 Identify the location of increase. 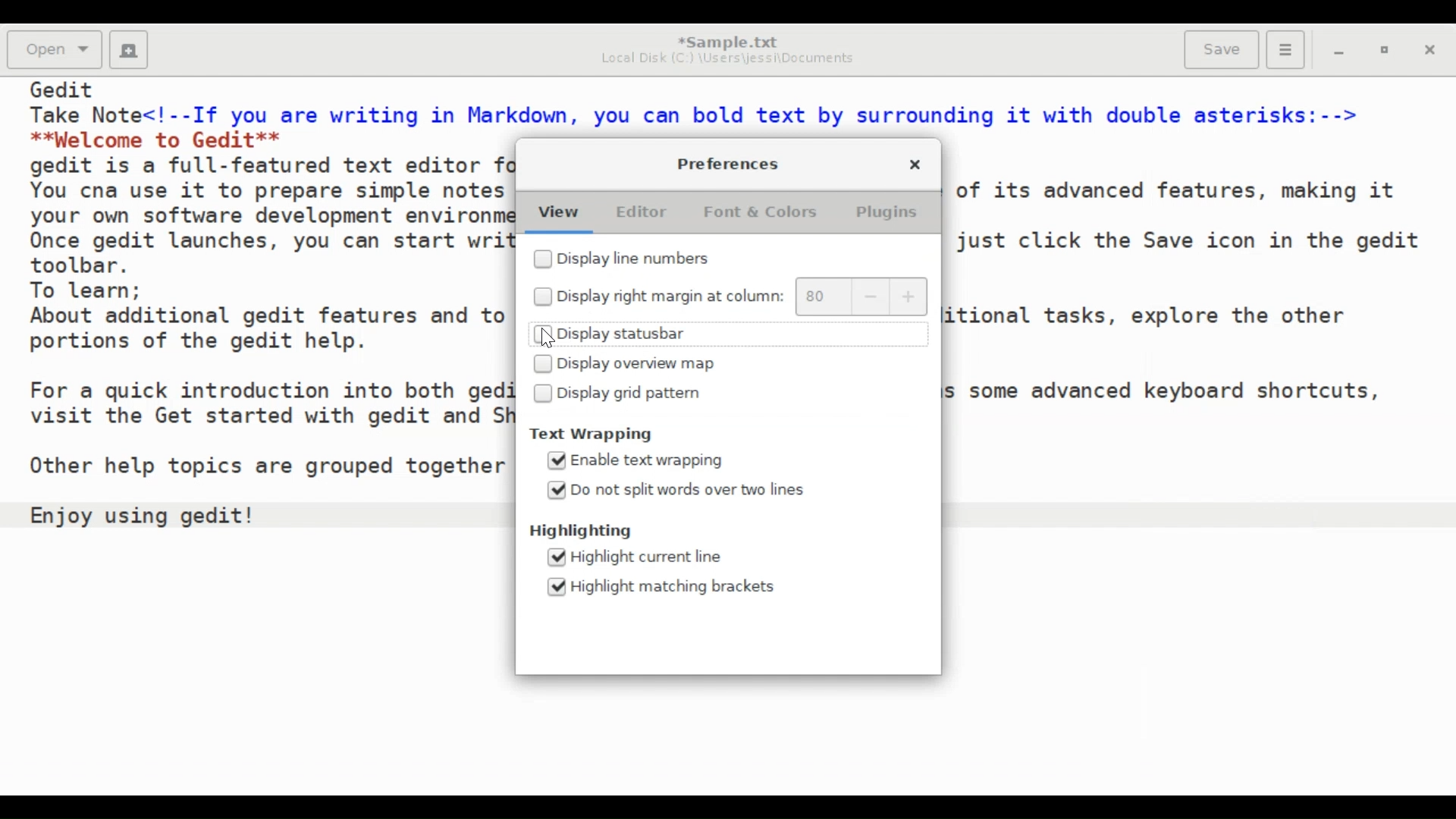
(911, 298).